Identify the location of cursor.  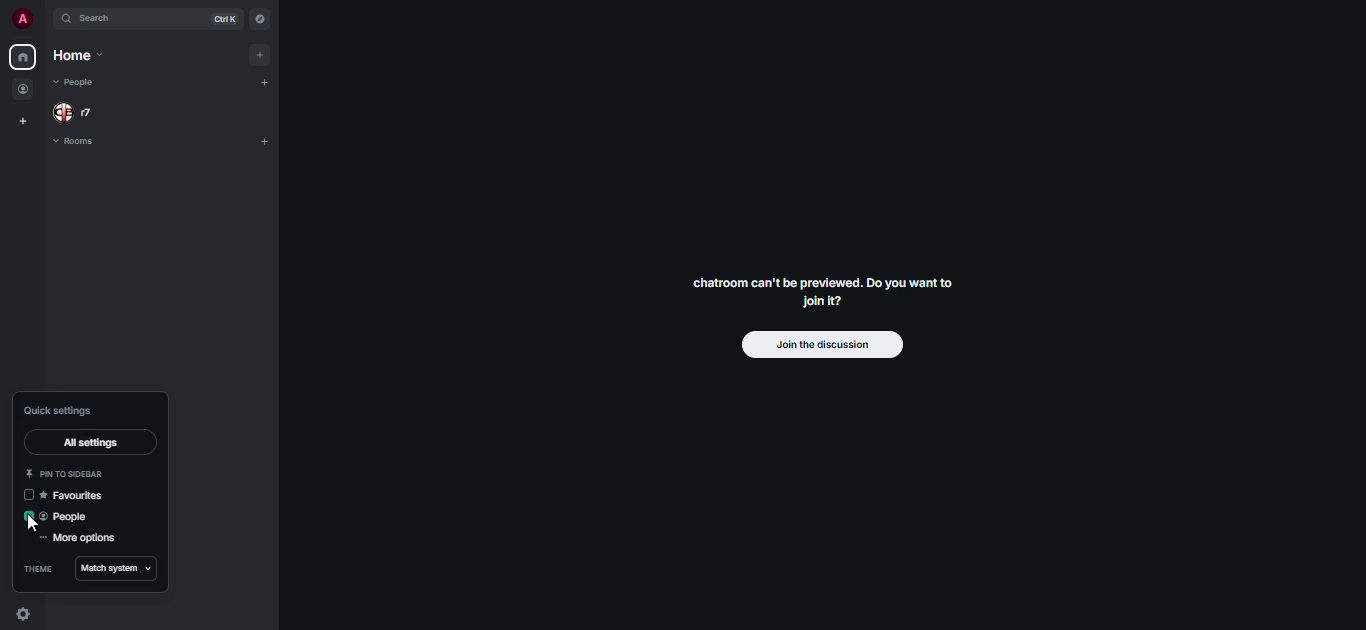
(32, 528).